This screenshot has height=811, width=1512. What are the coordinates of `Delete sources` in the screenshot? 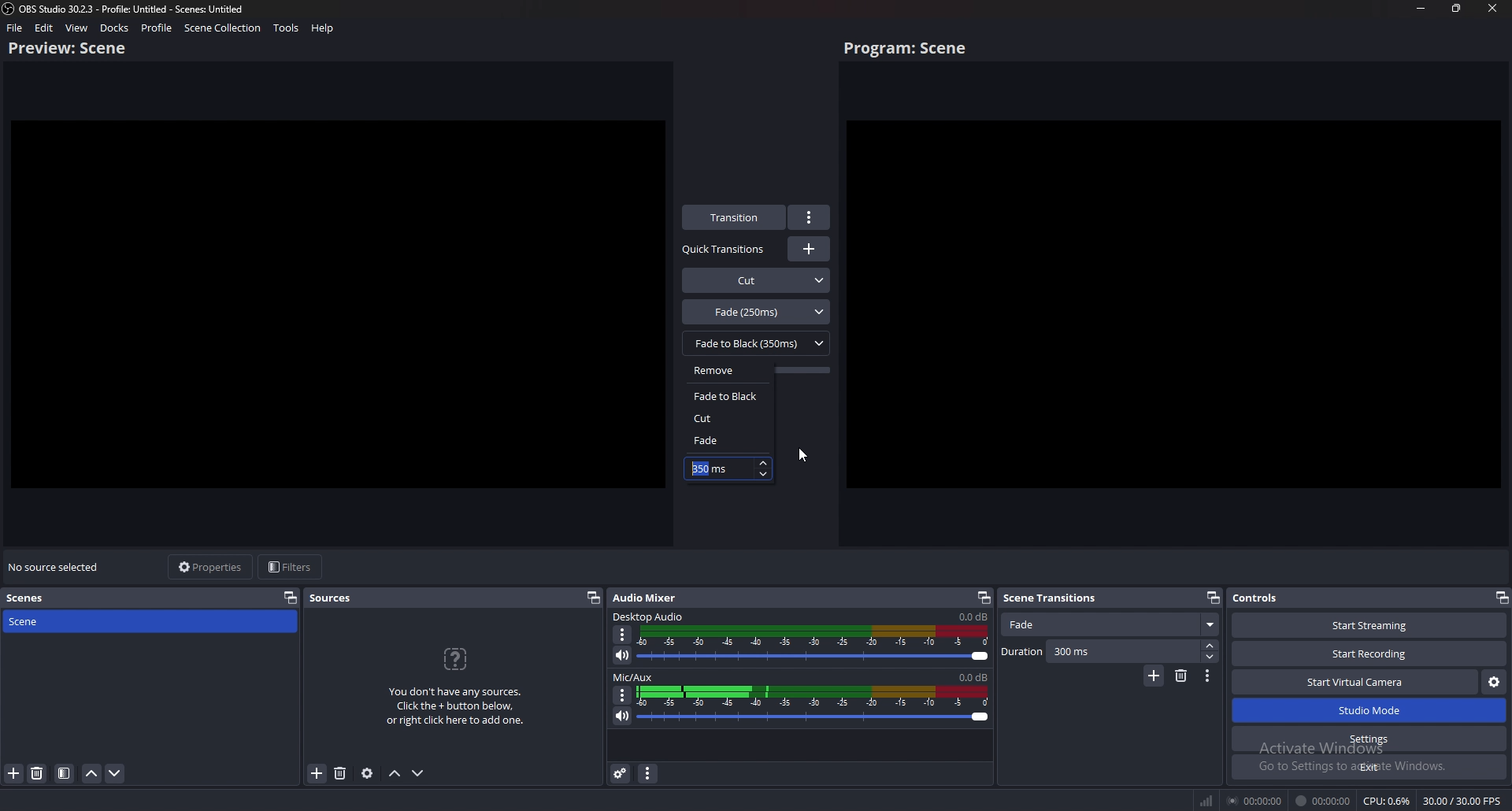 It's located at (339, 773).